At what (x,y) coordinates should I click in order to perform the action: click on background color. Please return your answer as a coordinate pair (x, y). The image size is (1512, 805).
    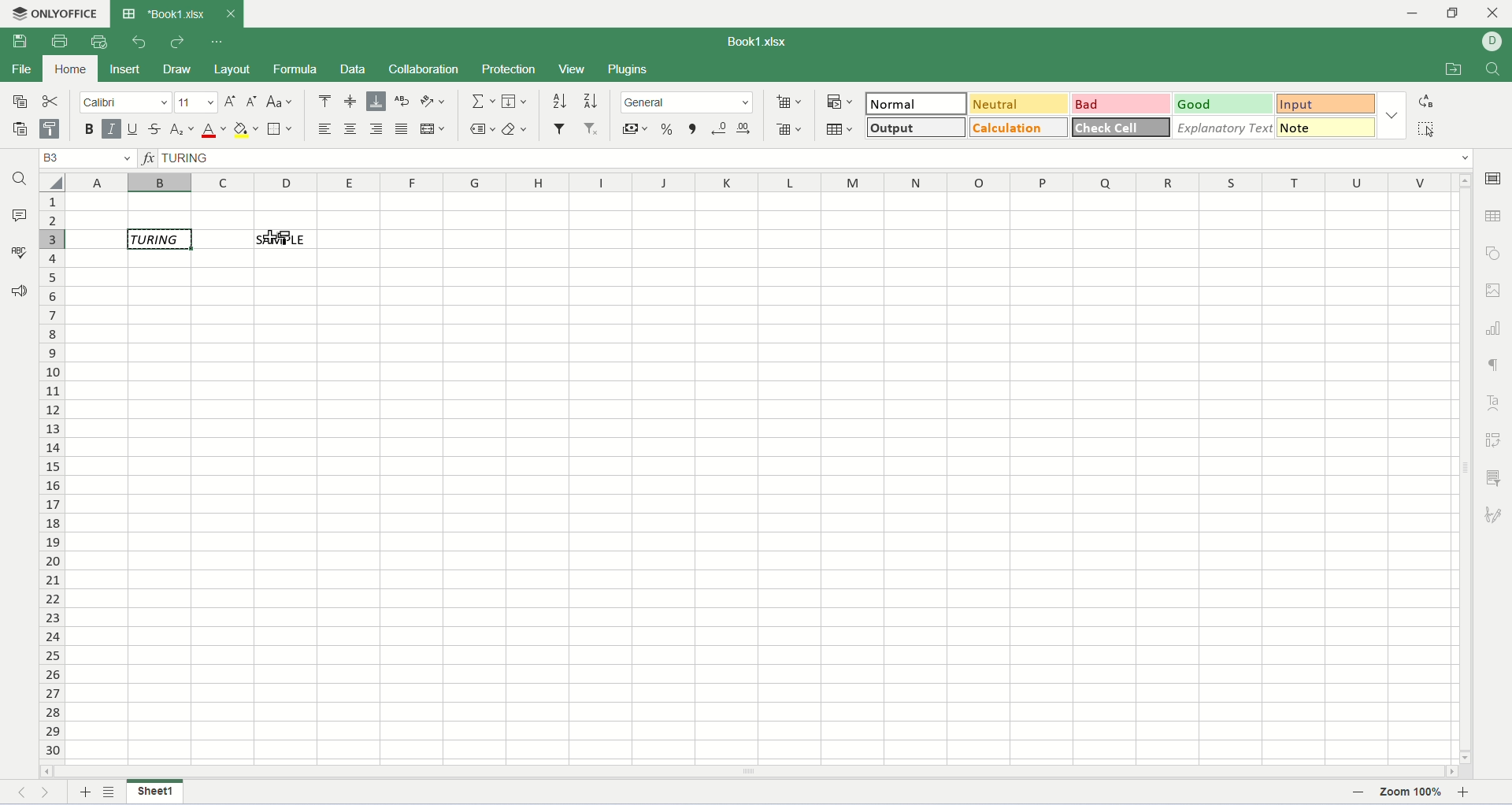
    Looking at the image, I should click on (246, 131).